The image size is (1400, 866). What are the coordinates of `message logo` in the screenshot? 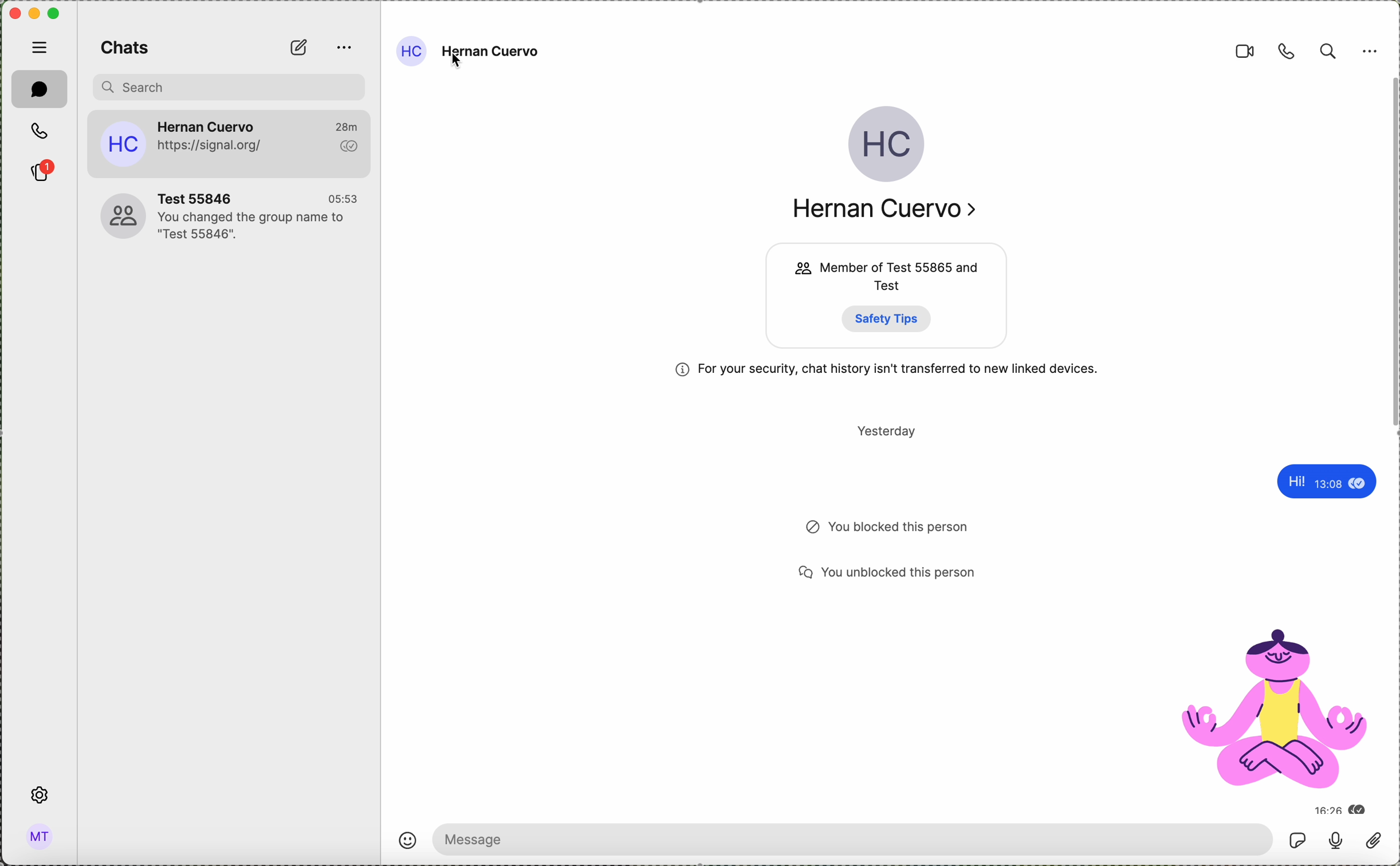 It's located at (802, 573).